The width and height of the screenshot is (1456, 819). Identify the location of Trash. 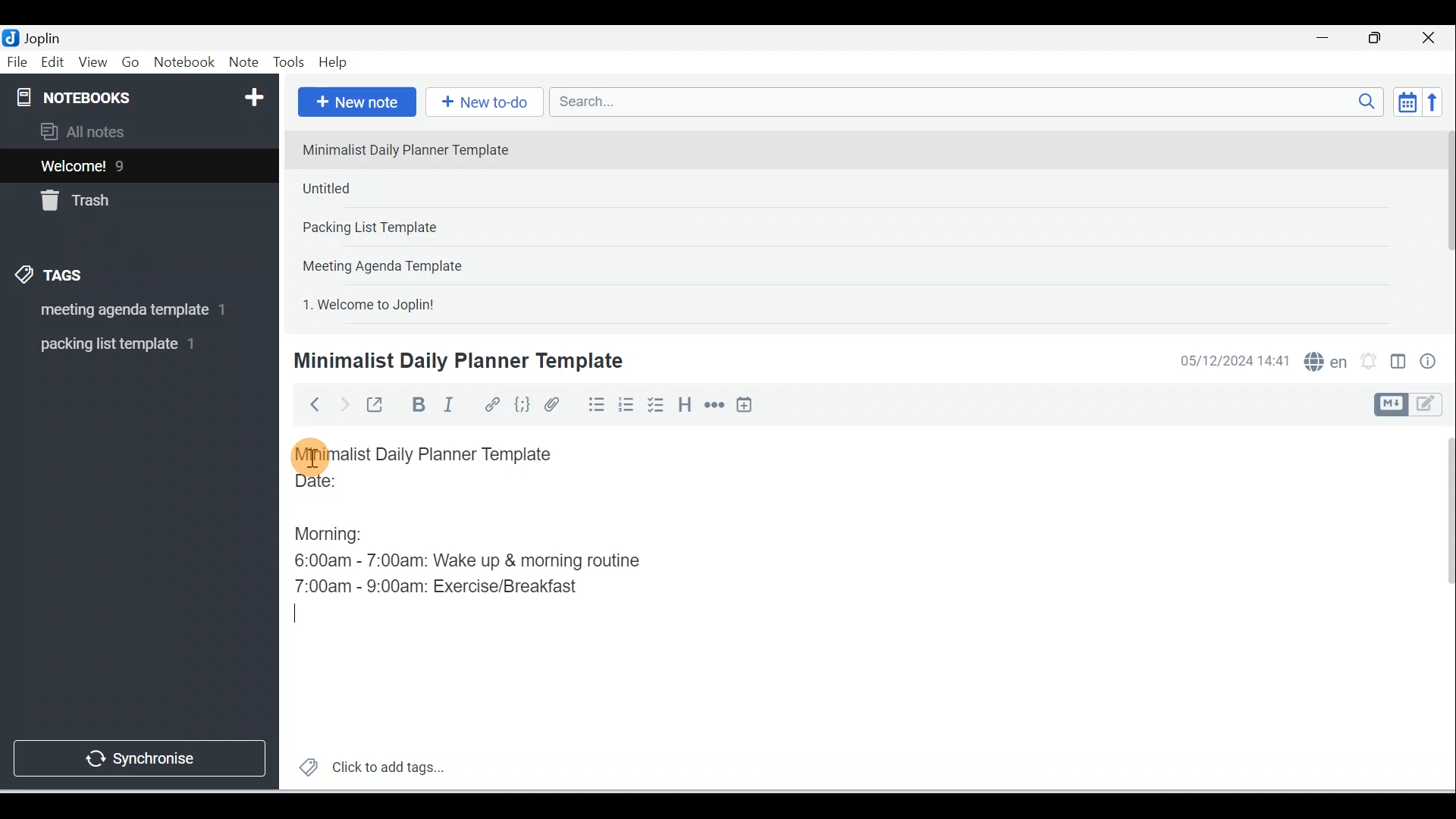
(111, 196).